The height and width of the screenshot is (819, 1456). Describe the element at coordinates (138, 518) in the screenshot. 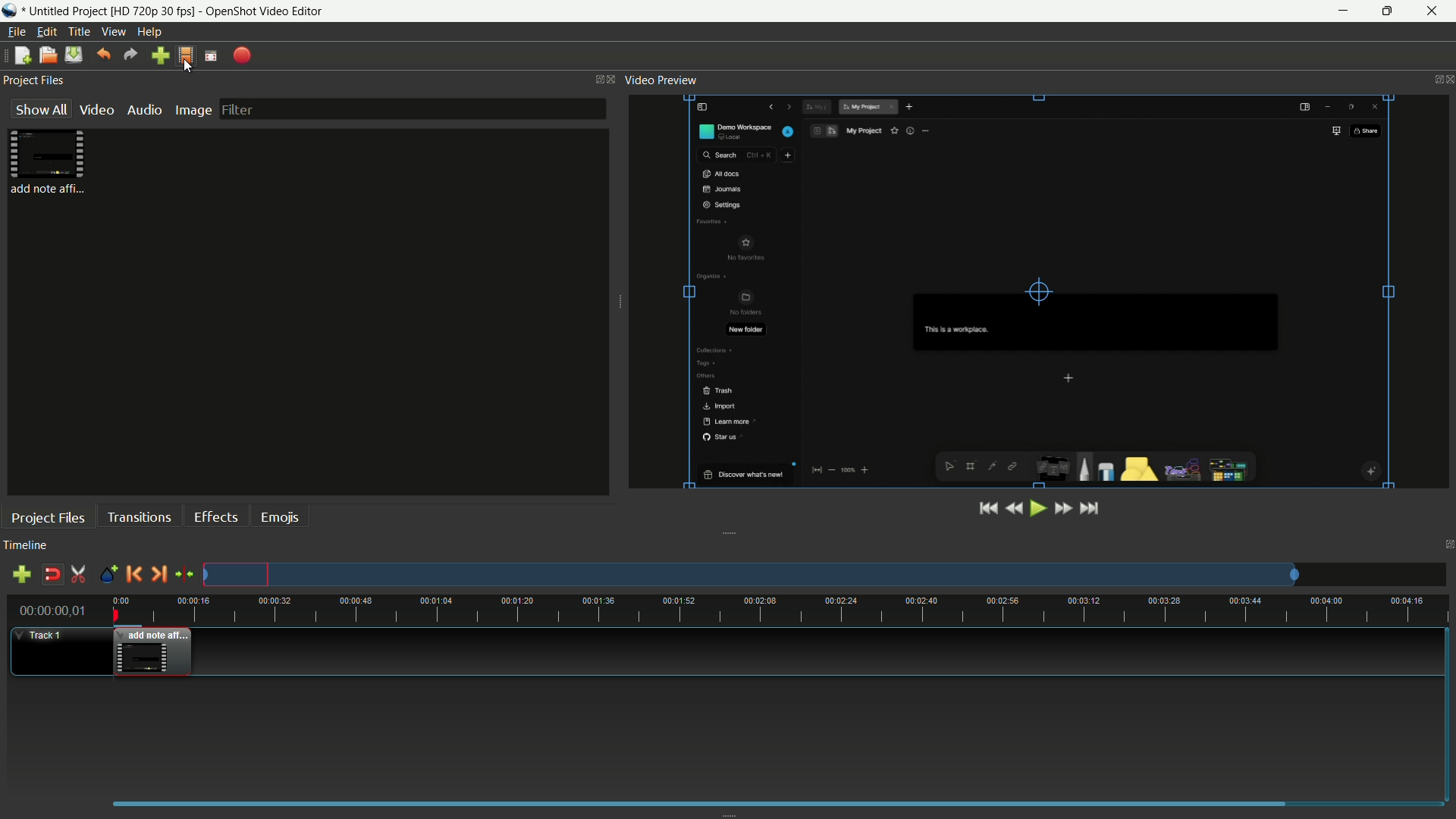

I see `transitions` at that location.